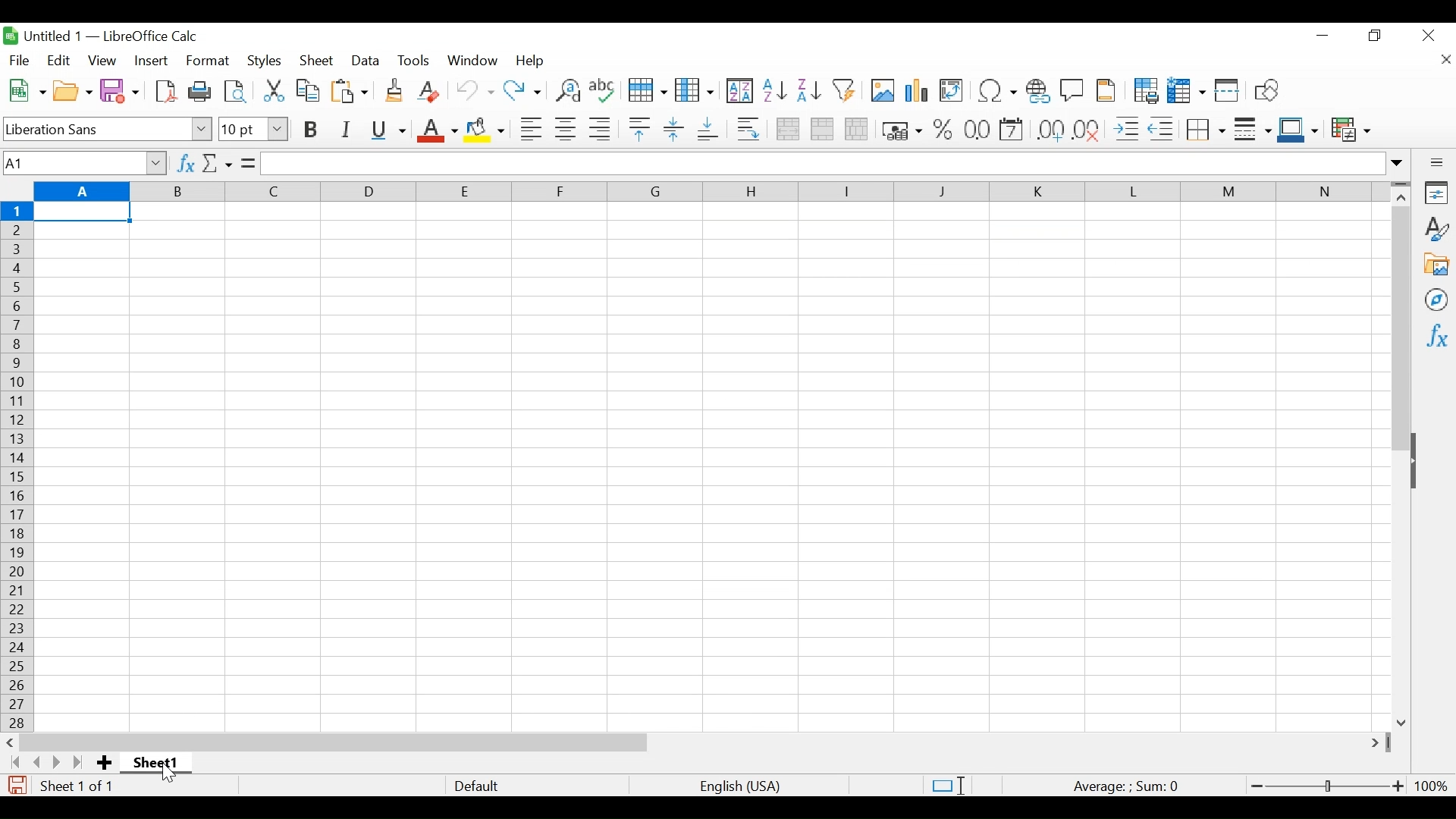 Image resolution: width=1456 pixels, height=819 pixels. I want to click on Columns, so click(711, 191).